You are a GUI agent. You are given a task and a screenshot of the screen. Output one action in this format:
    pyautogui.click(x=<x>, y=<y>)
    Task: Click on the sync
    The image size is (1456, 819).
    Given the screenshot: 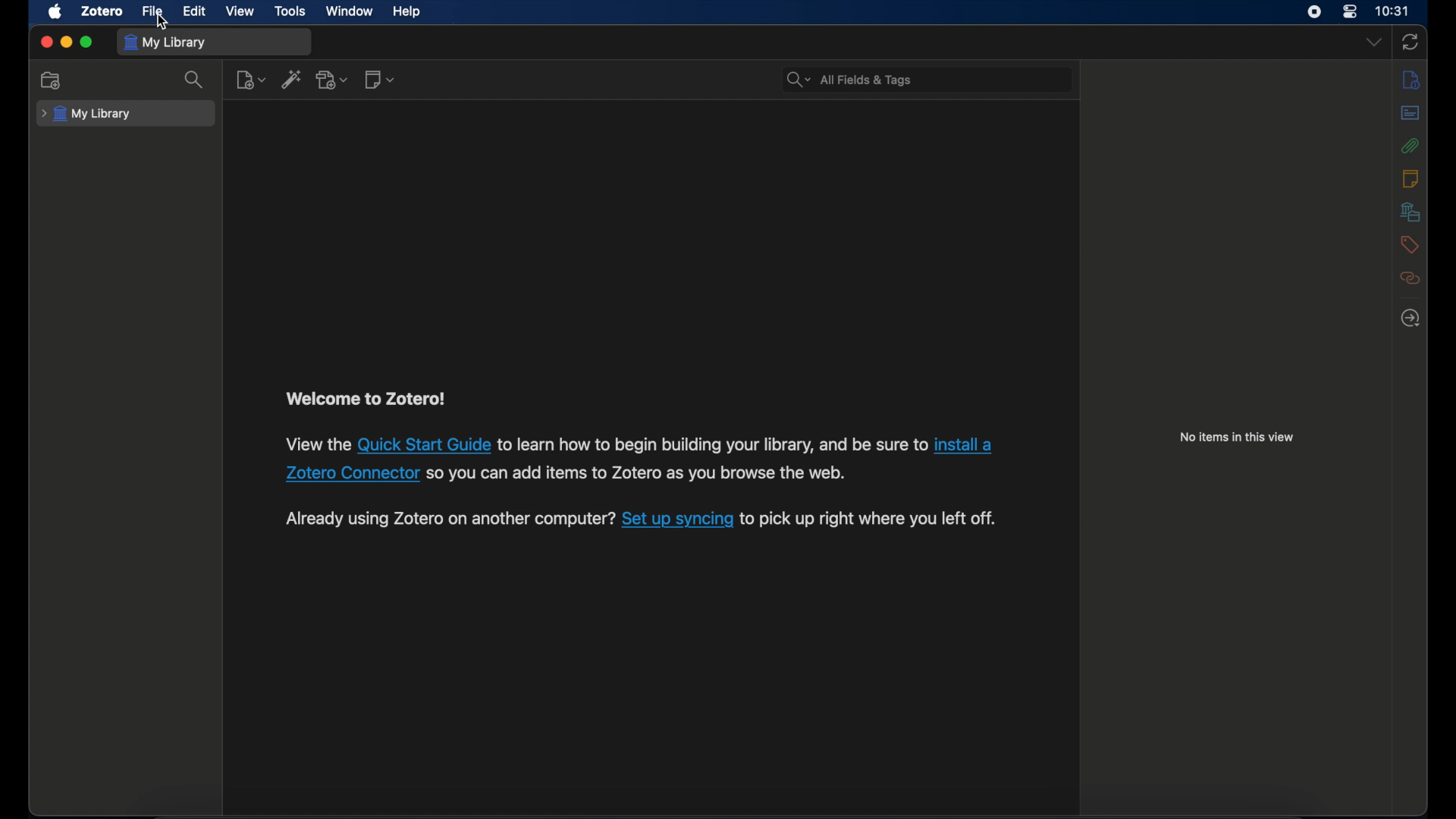 What is the action you would take?
    pyautogui.click(x=1410, y=43)
    